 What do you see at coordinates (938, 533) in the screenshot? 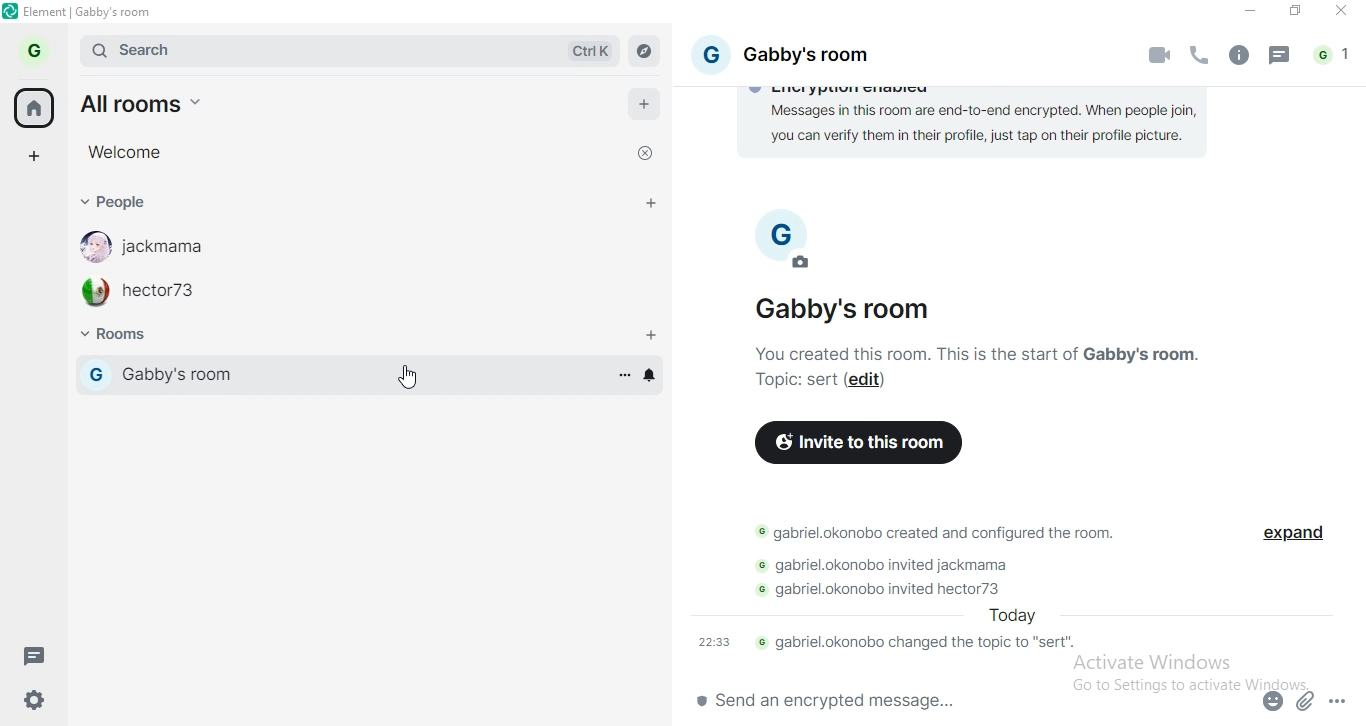
I see `text 3` at bounding box center [938, 533].